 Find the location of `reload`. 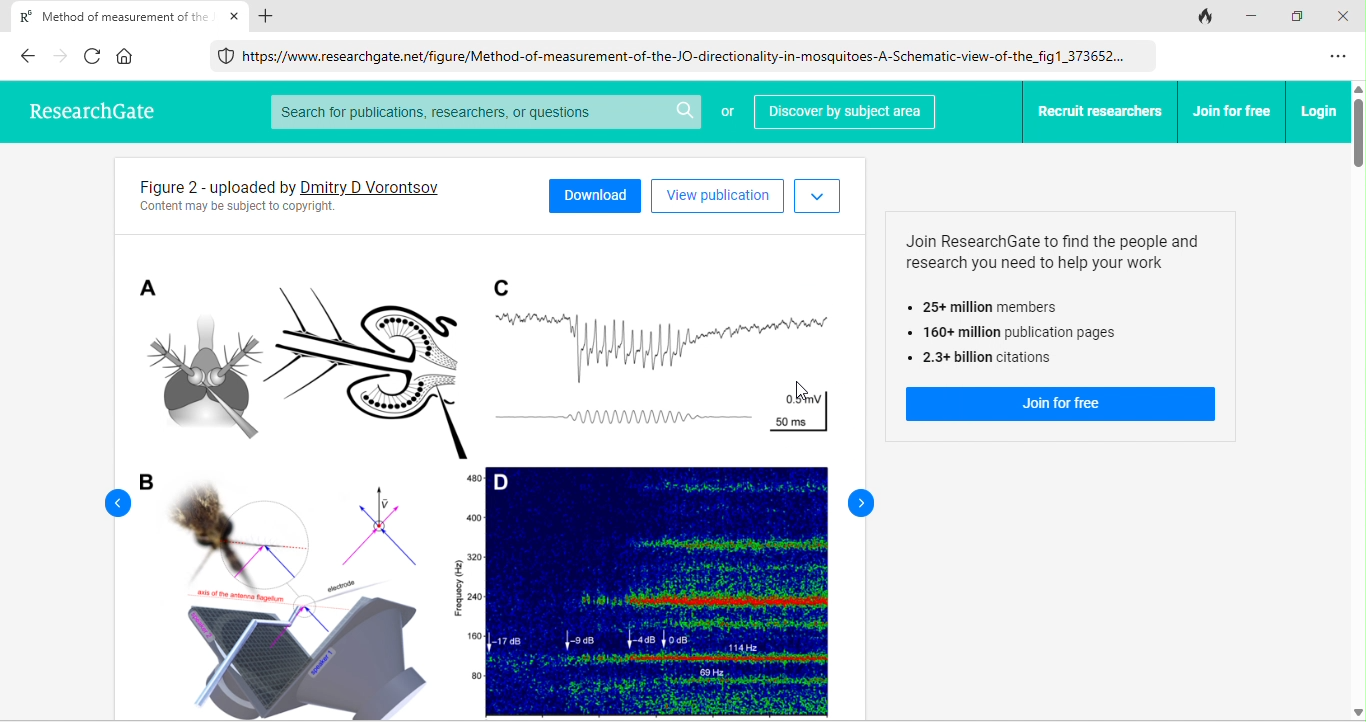

reload is located at coordinates (95, 55).